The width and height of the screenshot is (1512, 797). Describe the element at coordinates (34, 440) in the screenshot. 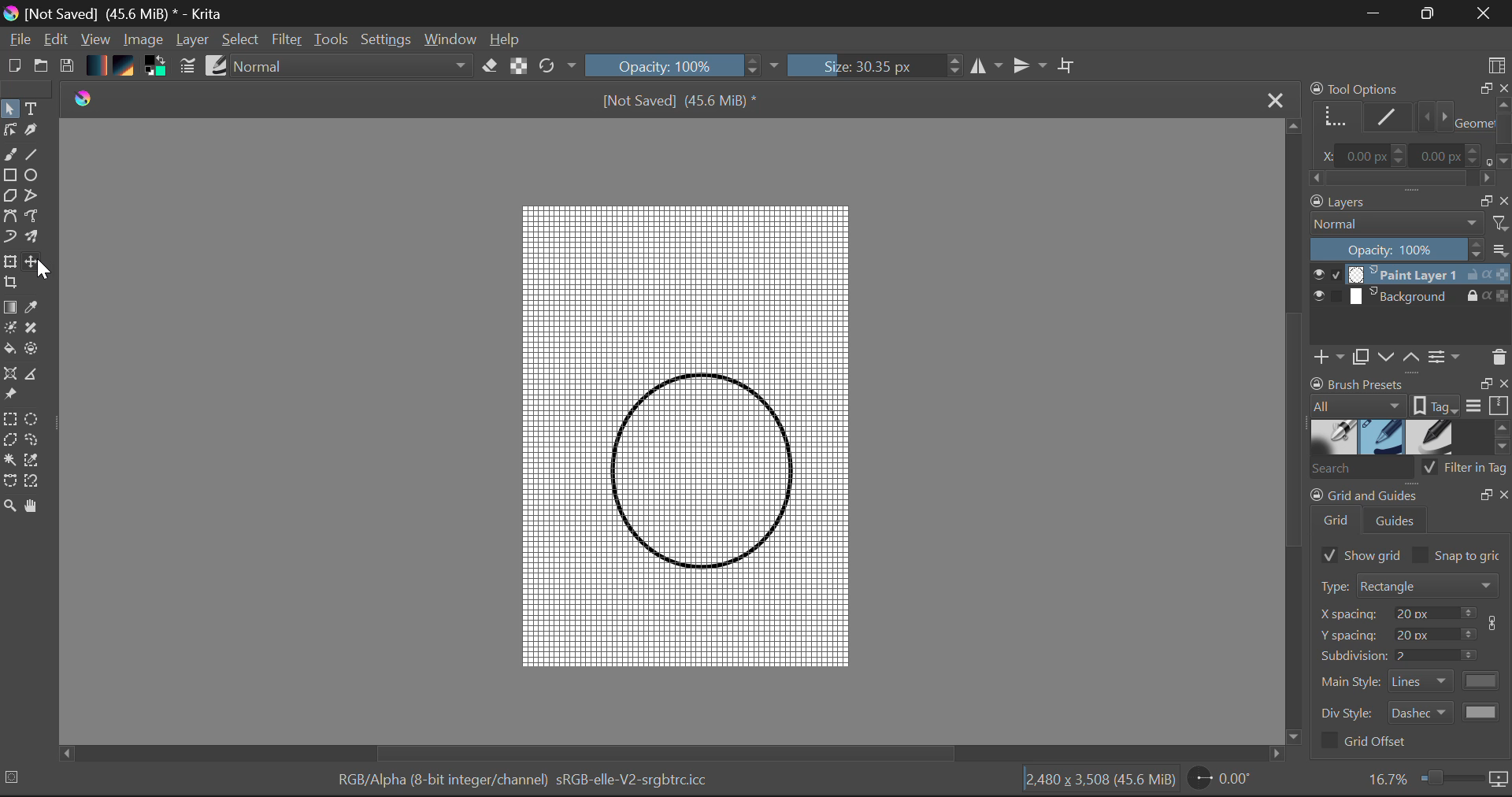

I see `Freehand Selection` at that location.